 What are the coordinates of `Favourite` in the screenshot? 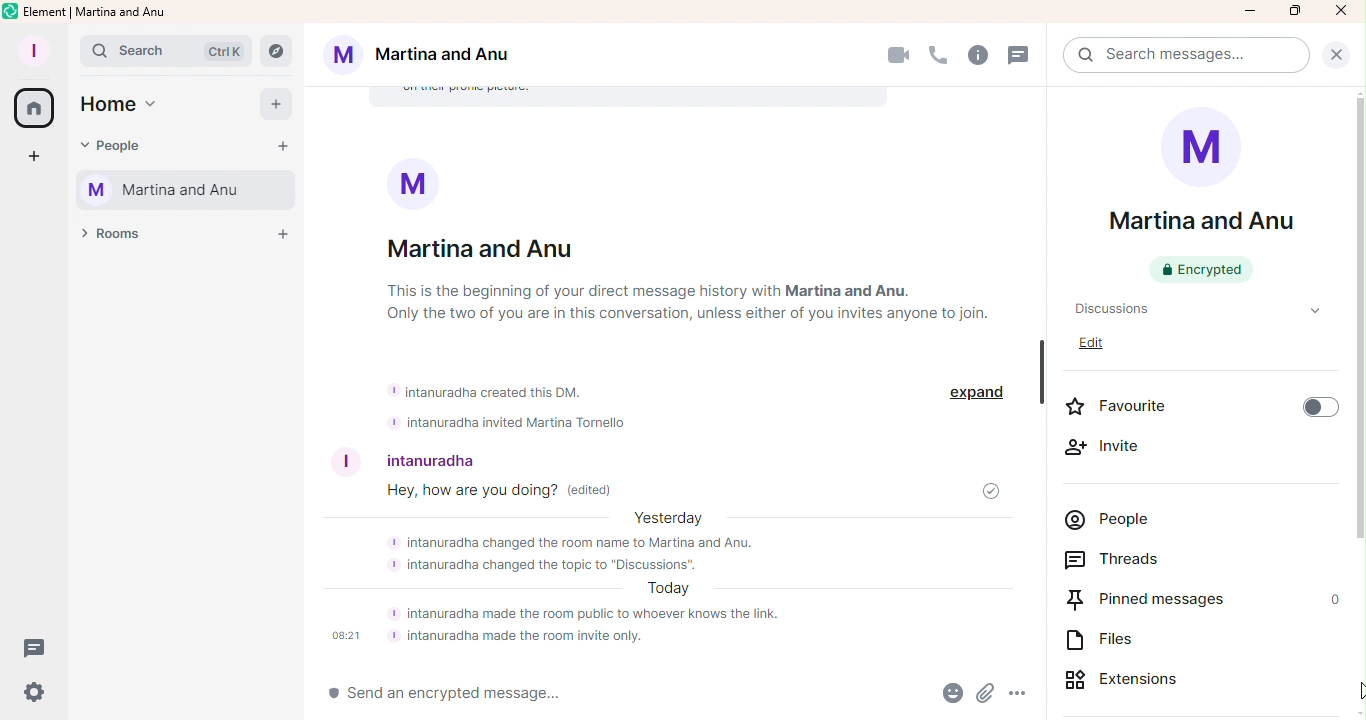 It's located at (1204, 407).